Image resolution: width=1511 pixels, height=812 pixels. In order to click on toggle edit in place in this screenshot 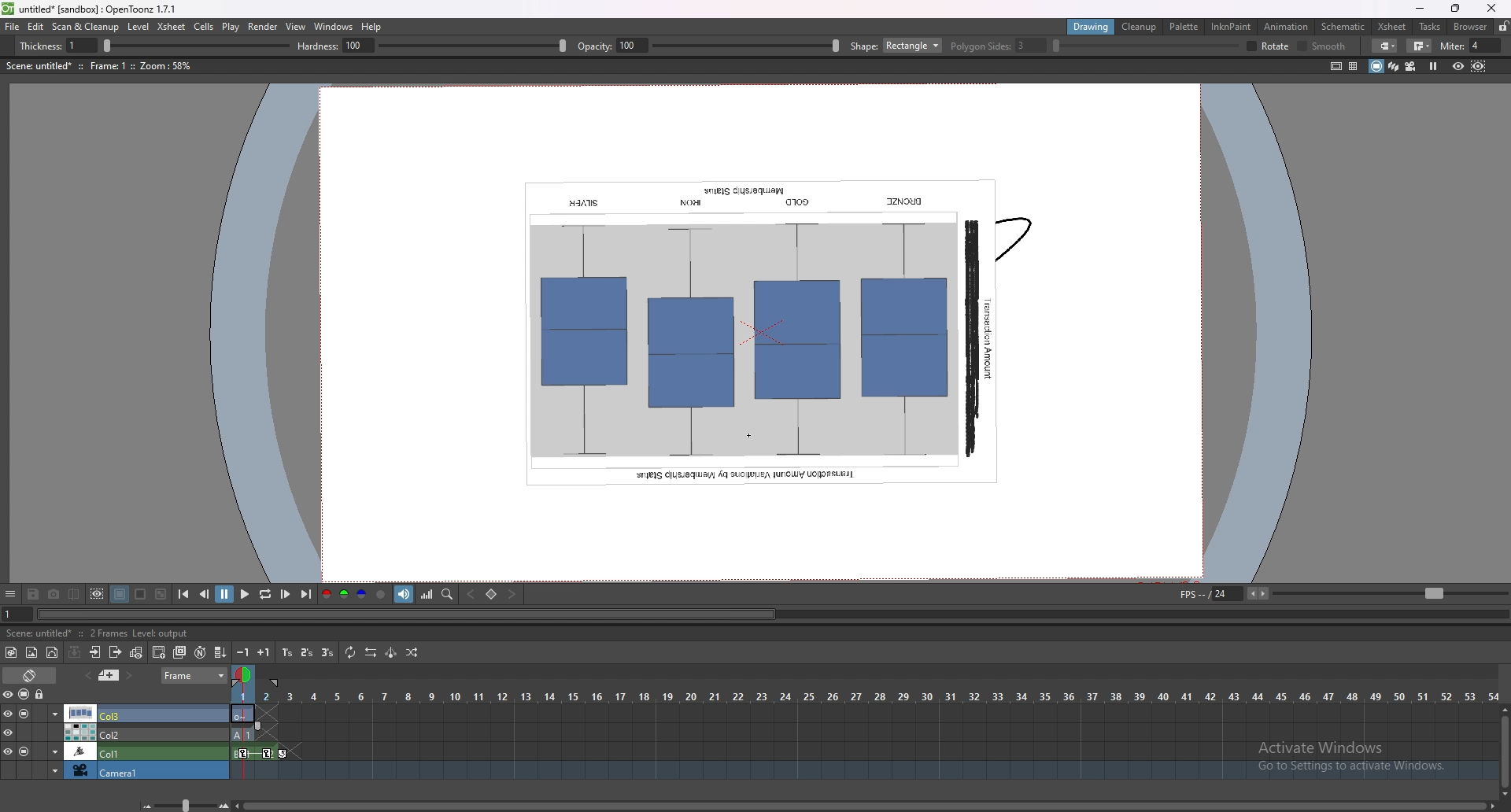, I will do `click(136, 652)`.